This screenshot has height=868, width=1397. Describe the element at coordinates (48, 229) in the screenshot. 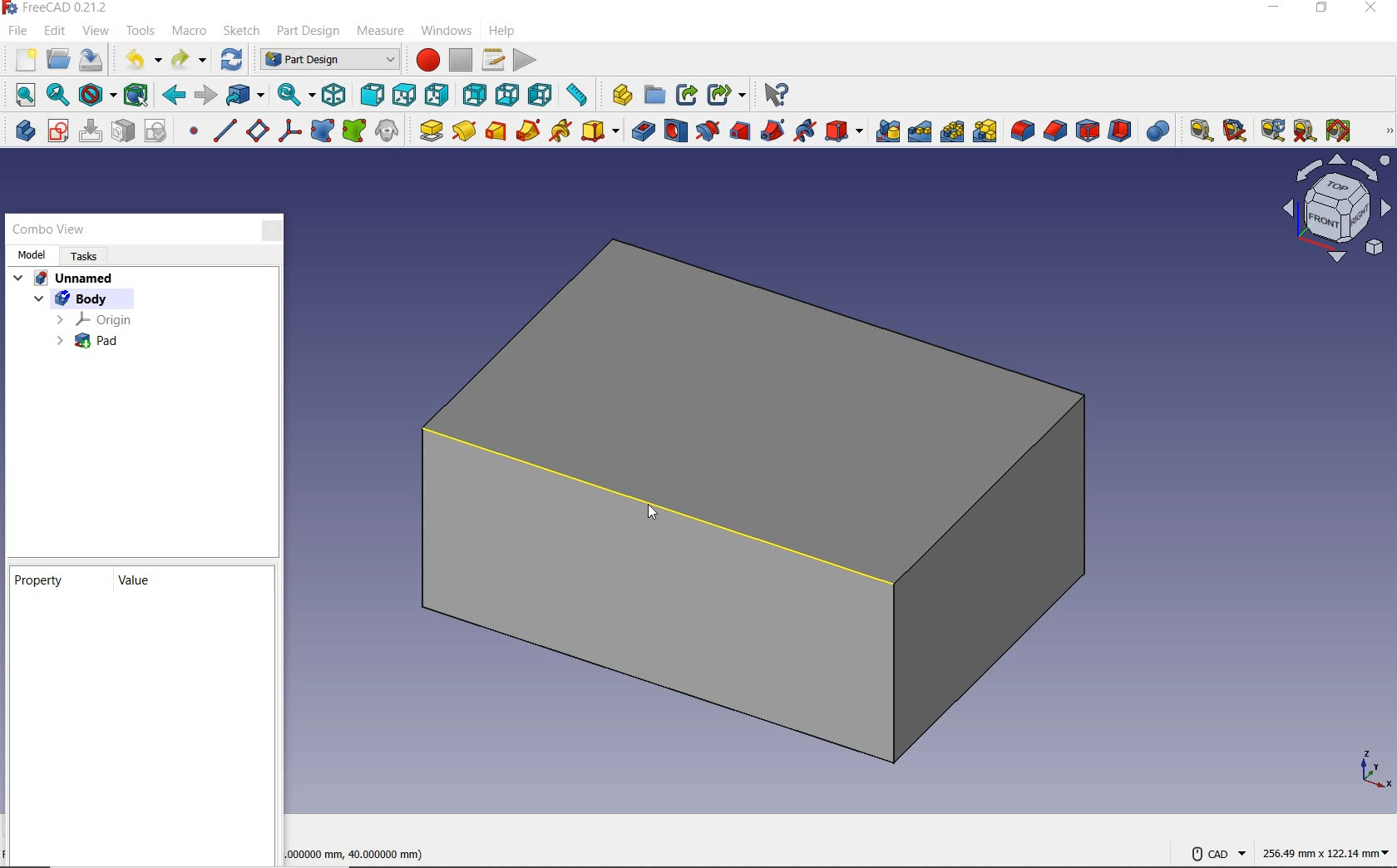

I see `combo view` at that location.